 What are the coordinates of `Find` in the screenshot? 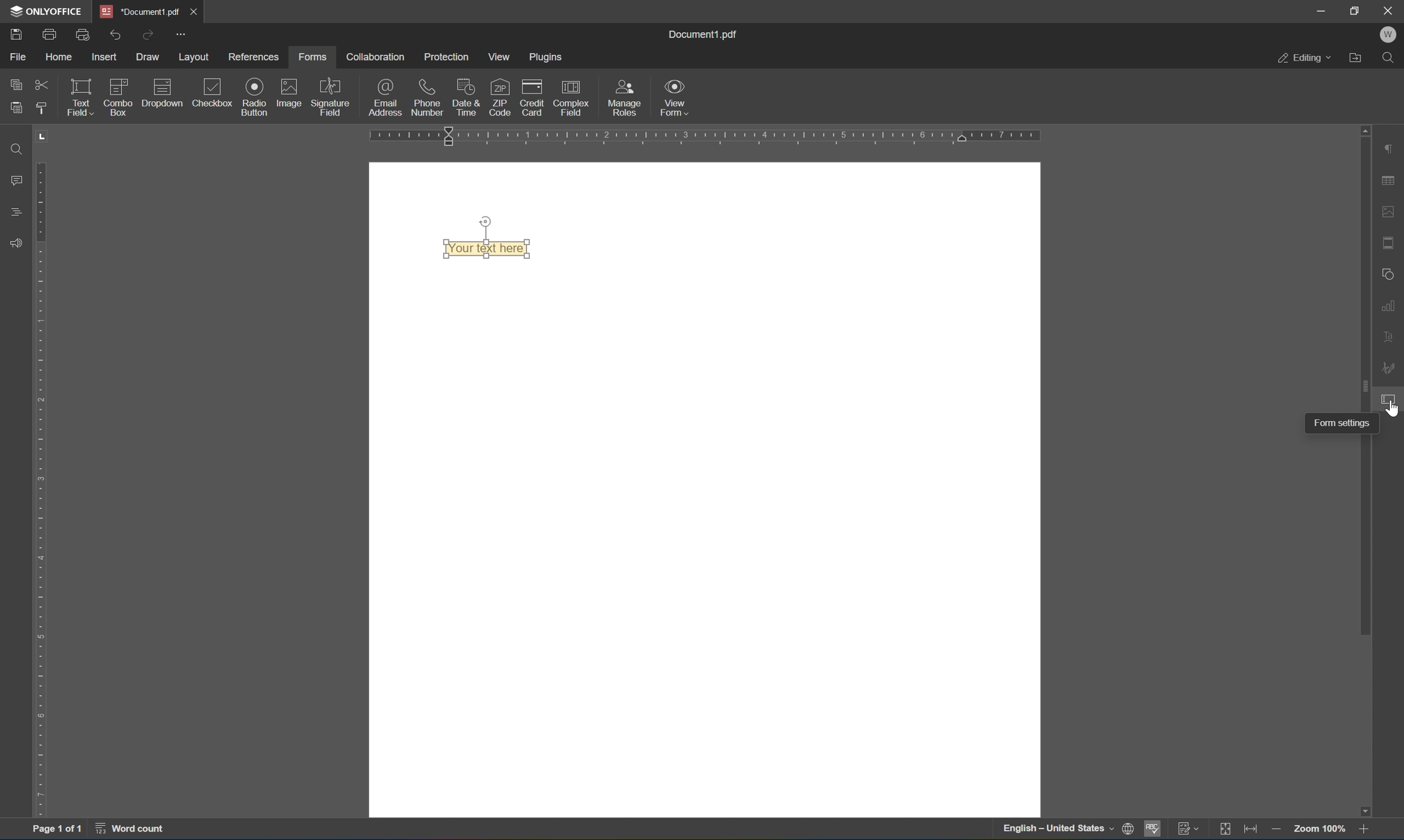 It's located at (1390, 60).